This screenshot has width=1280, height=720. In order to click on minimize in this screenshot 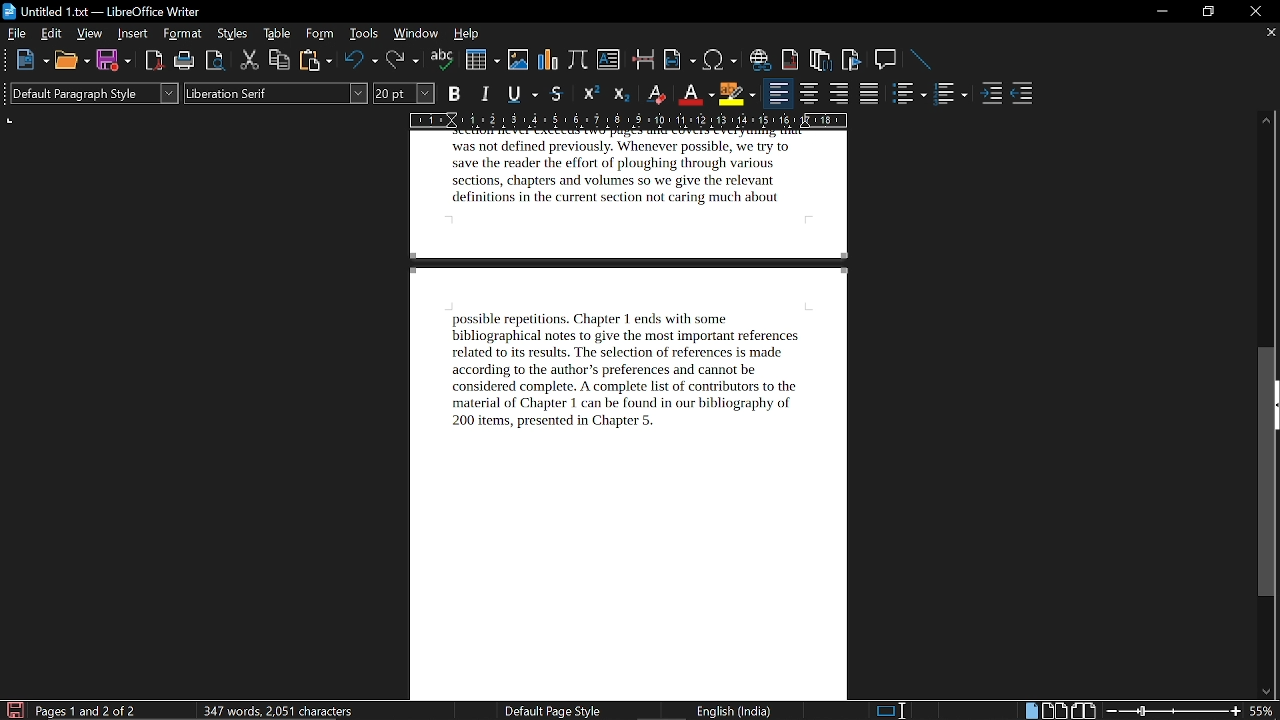, I will do `click(1162, 12)`.